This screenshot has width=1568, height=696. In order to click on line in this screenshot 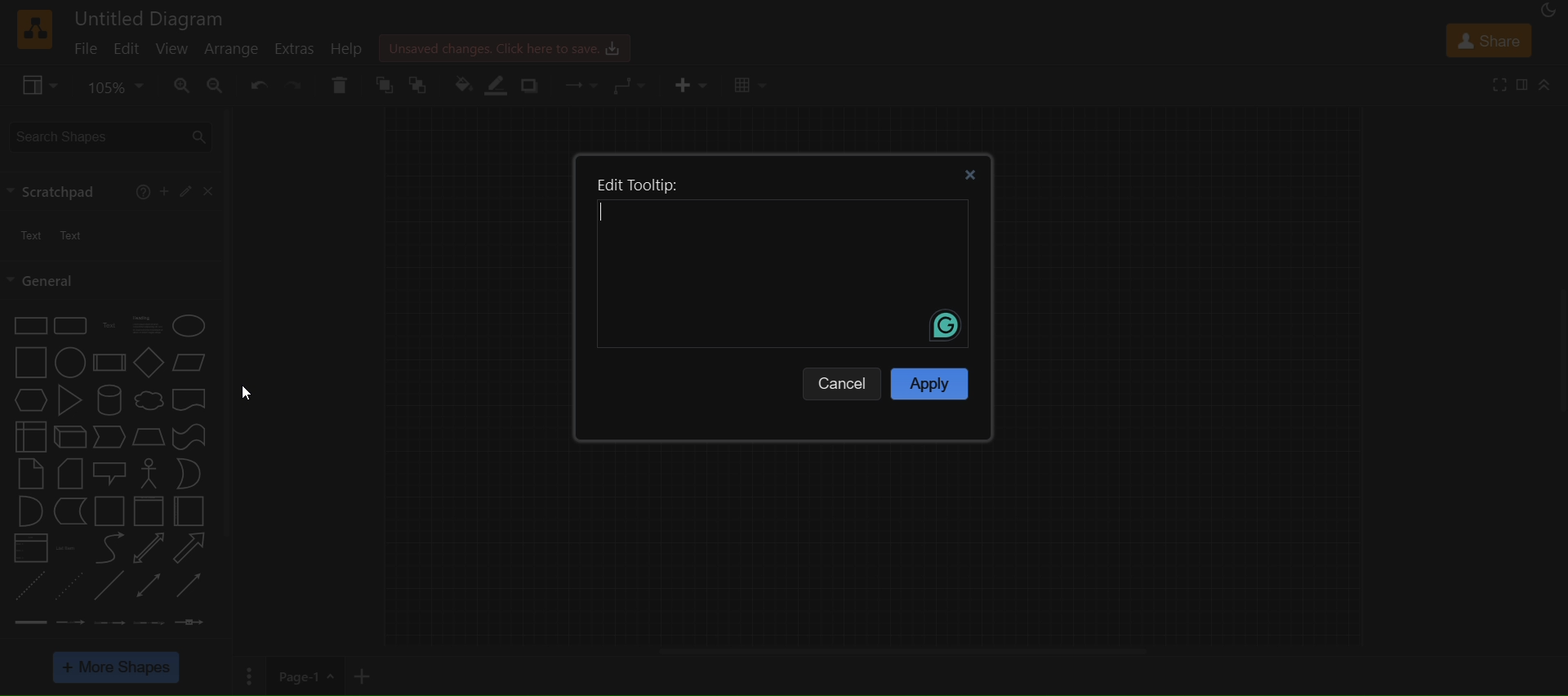, I will do `click(111, 587)`.